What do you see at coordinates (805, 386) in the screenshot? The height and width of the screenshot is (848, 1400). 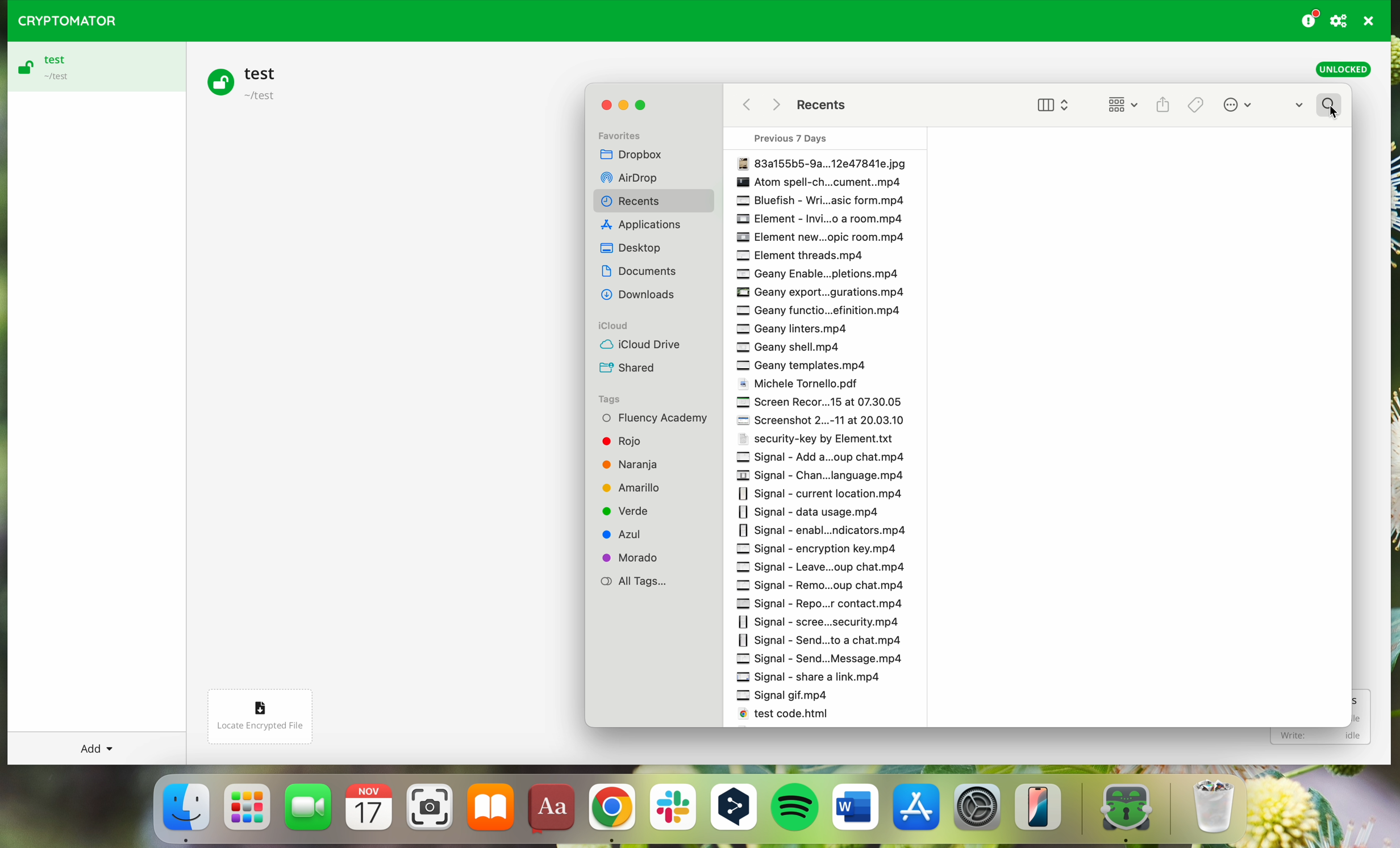 I see `Michele Tortello` at bounding box center [805, 386].